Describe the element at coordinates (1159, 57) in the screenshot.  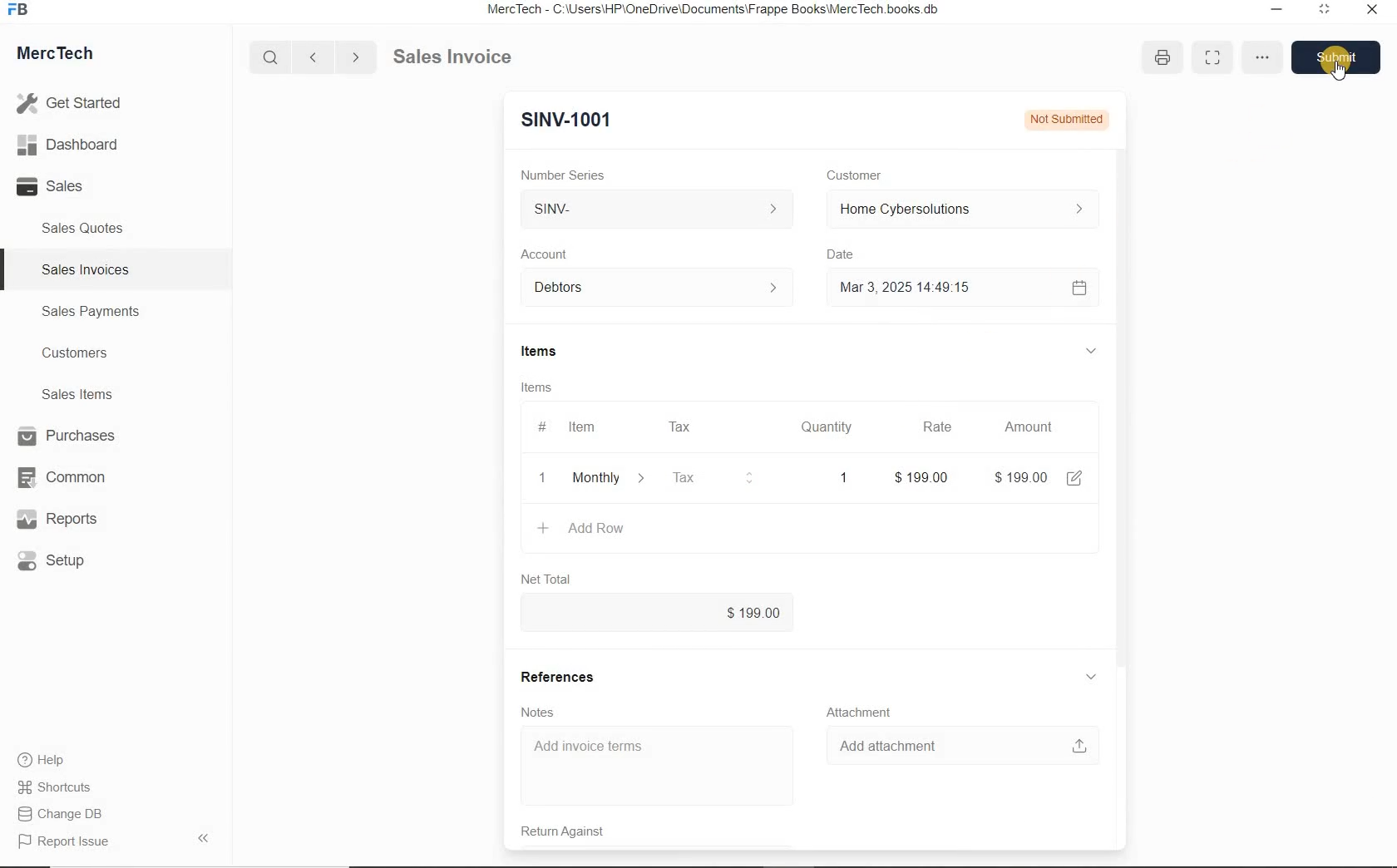
I see `print` at that location.